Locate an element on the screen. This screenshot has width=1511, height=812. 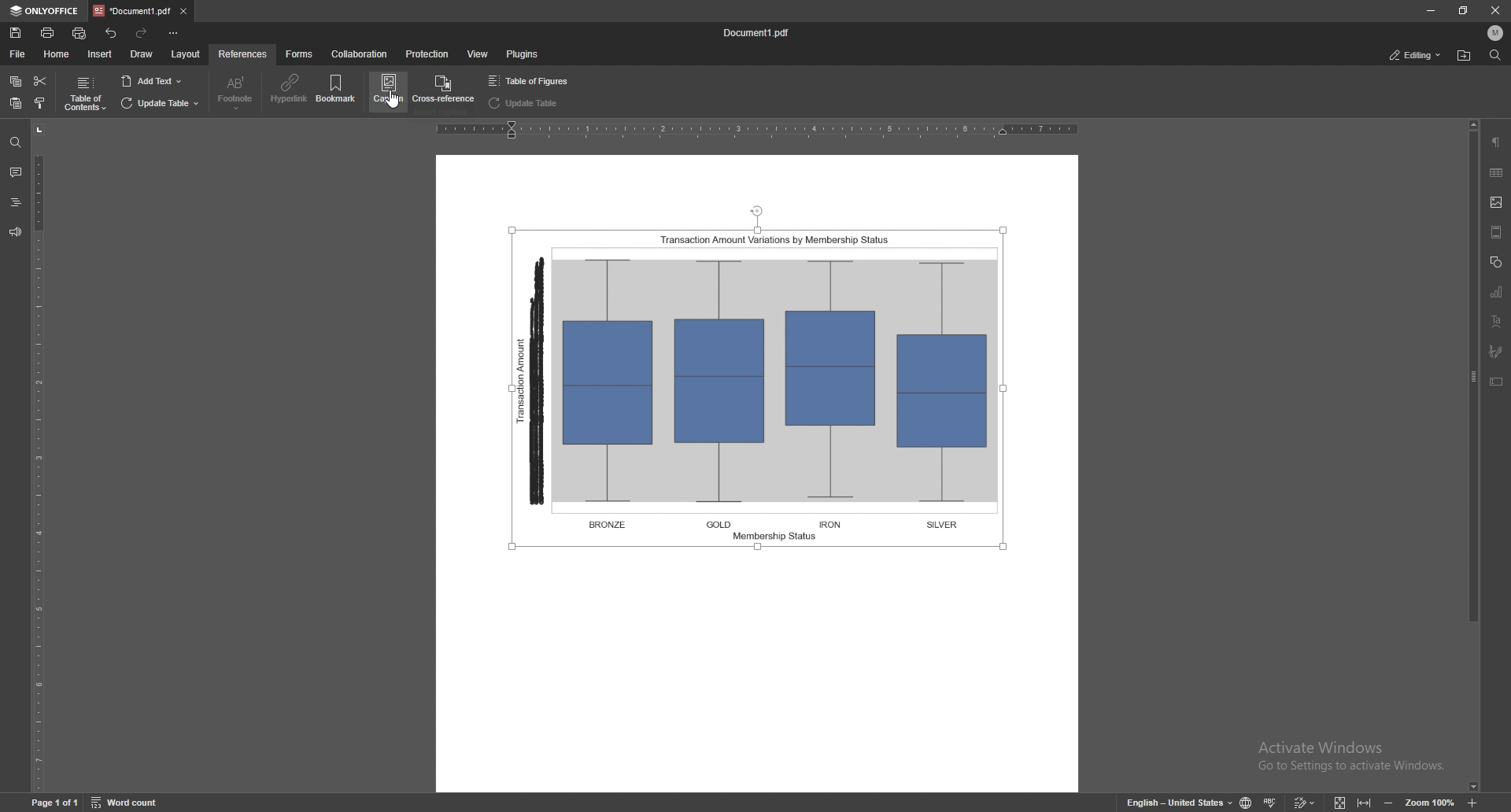
layout is located at coordinates (187, 54).